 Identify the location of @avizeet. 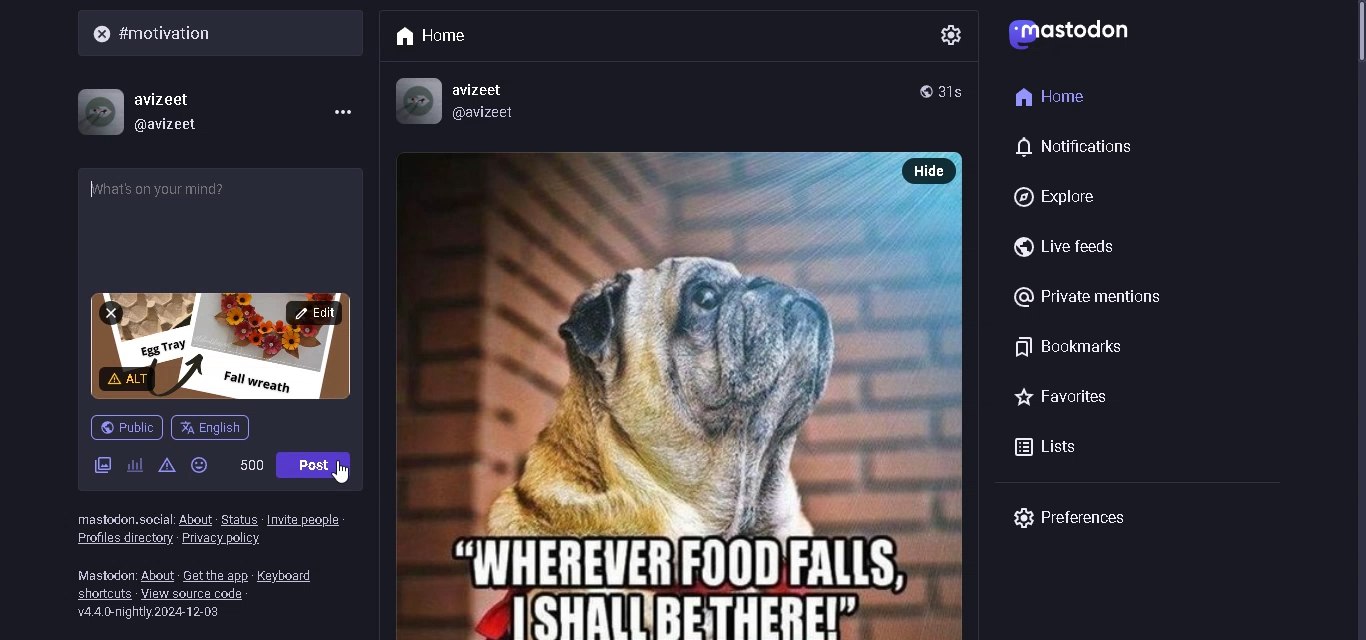
(486, 113).